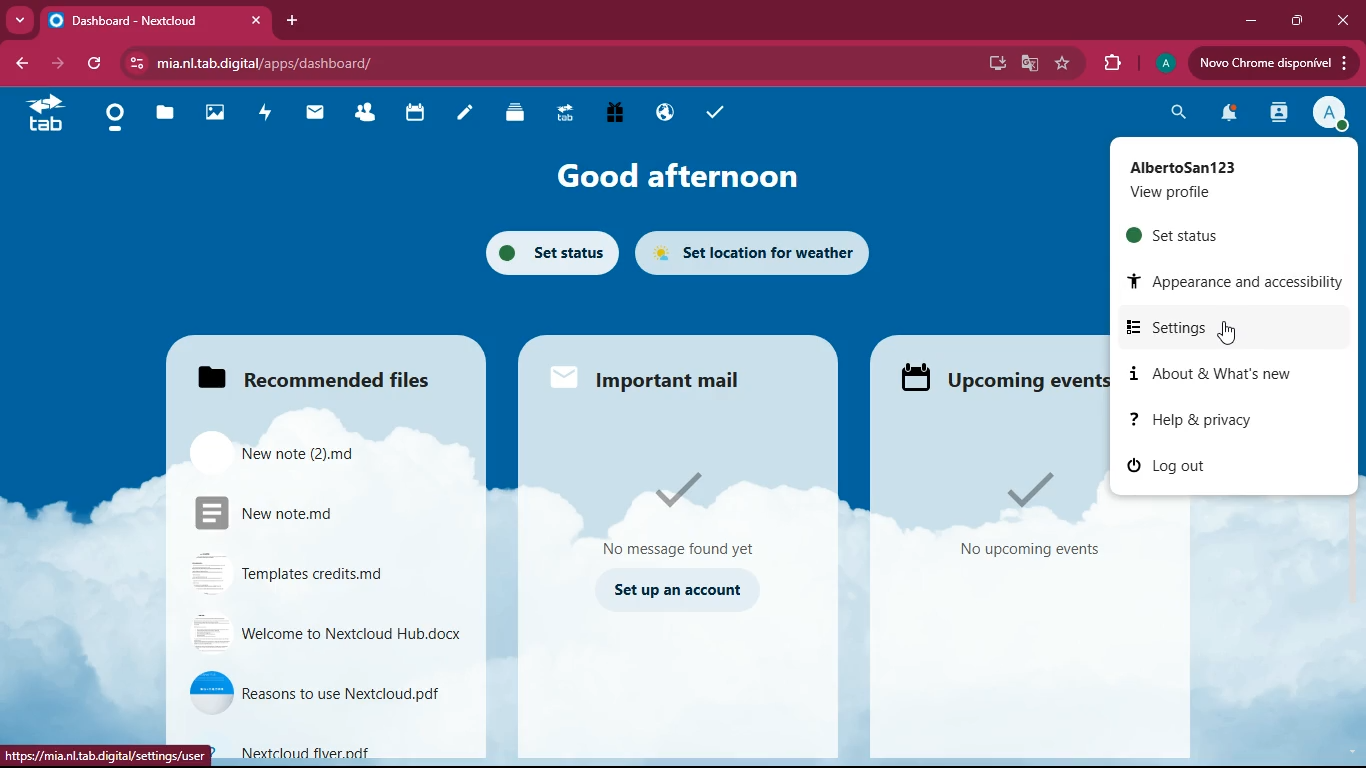 This screenshot has height=768, width=1366. I want to click on upload, so click(1274, 65).